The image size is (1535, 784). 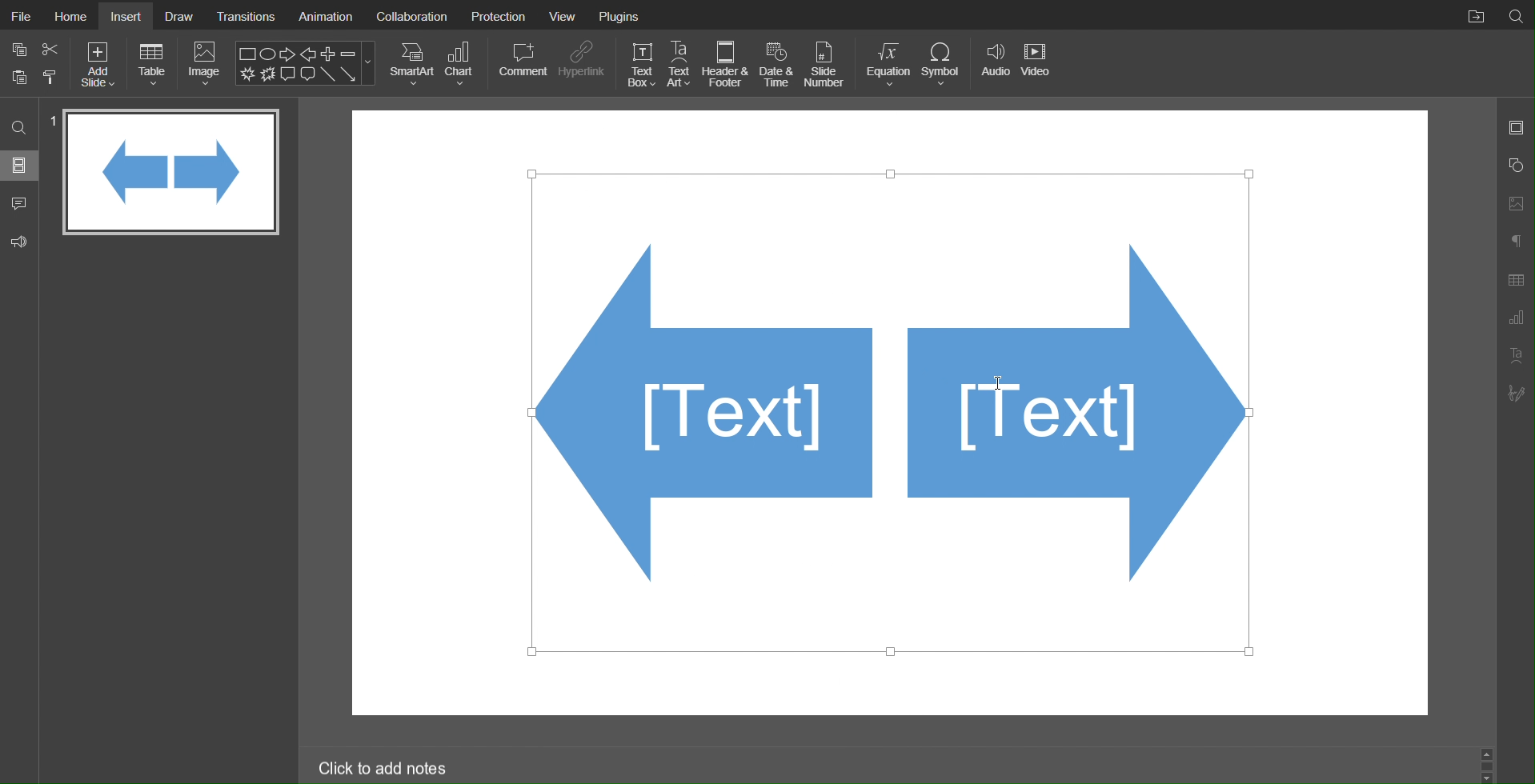 What do you see at coordinates (1514, 355) in the screenshot?
I see `Text Art` at bounding box center [1514, 355].